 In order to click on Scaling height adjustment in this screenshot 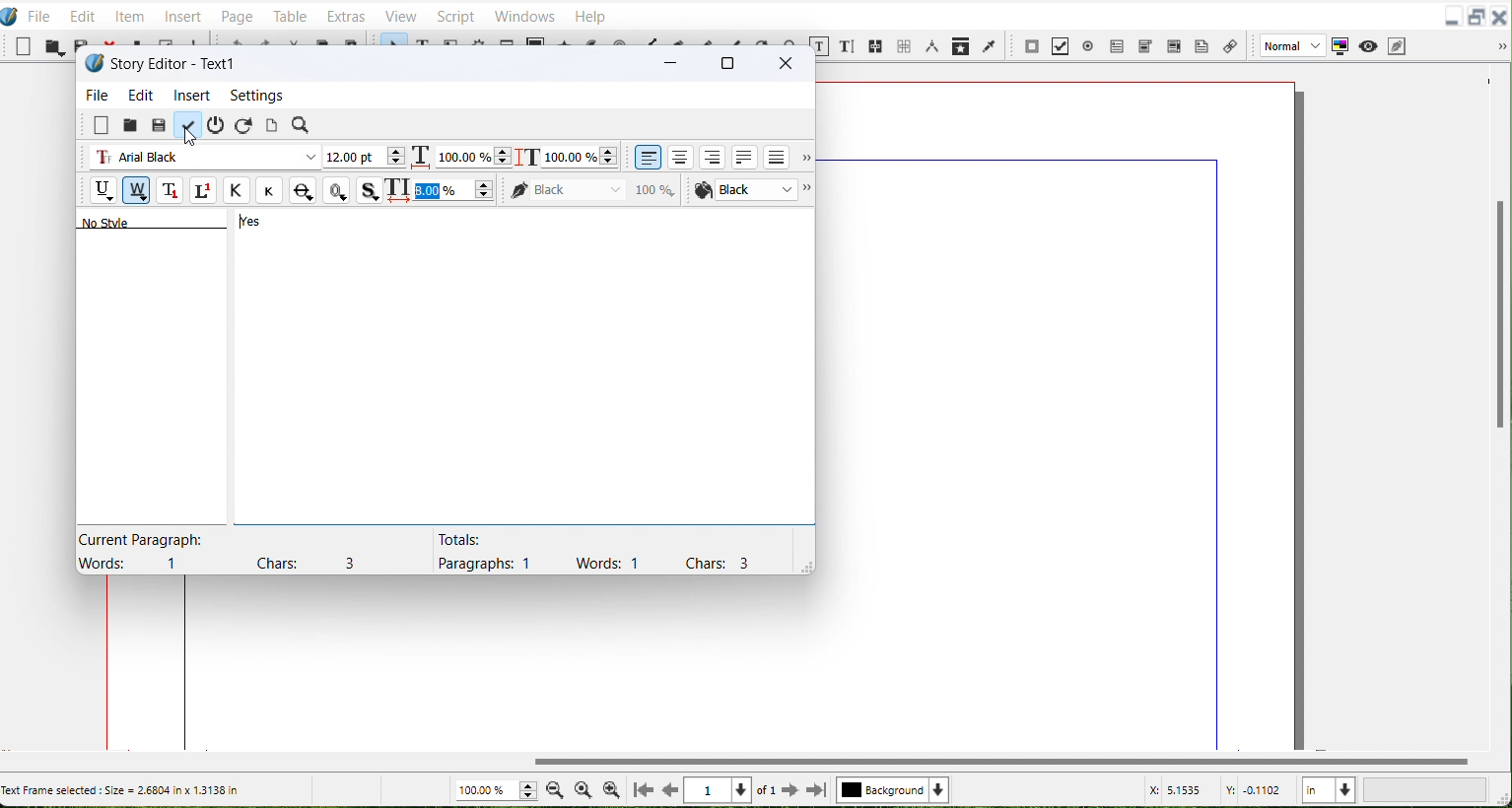, I will do `click(571, 157)`.